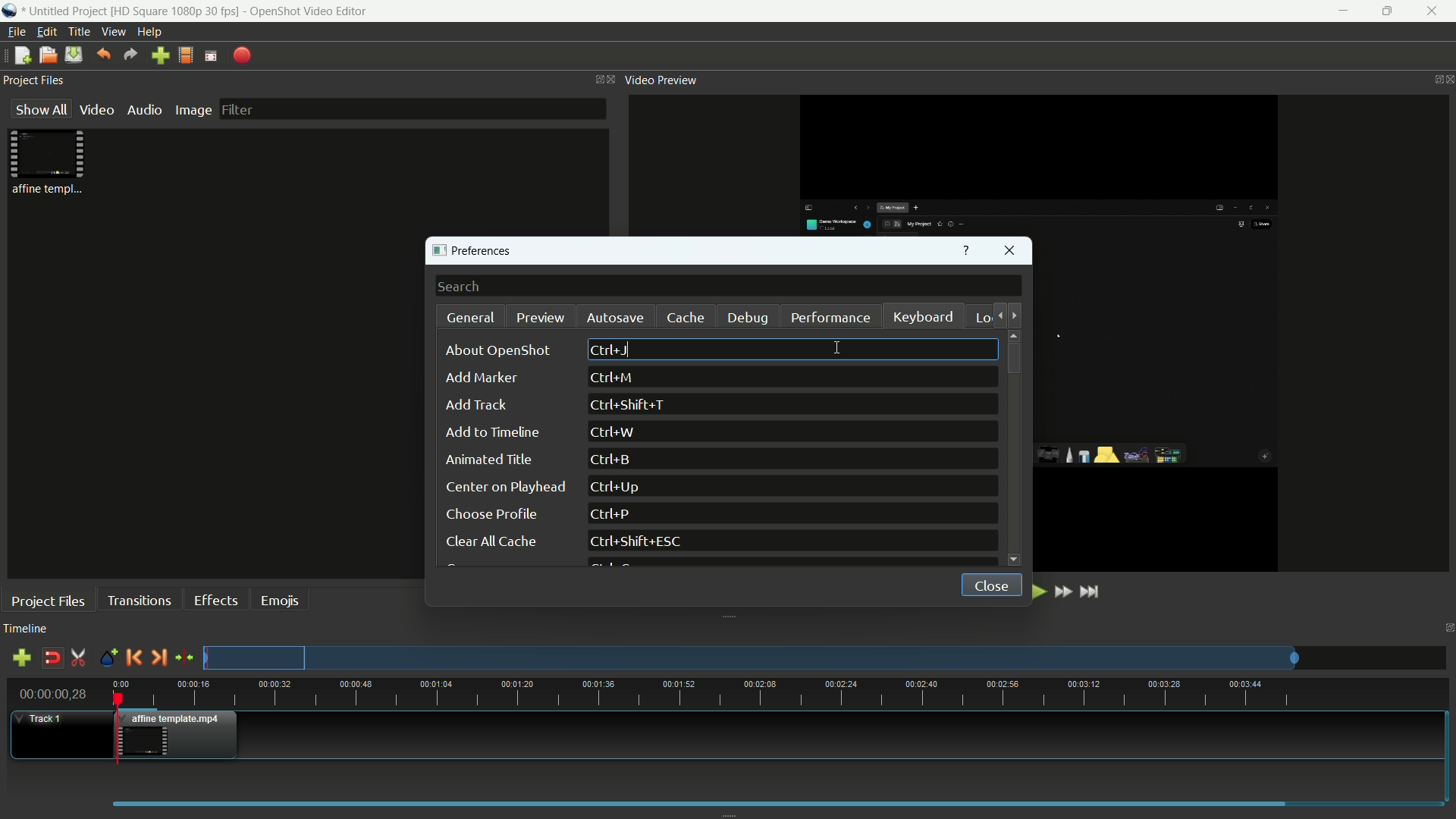 The width and height of the screenshot is (1456, 819). Describe the element at coordinates (1447, 628) in the screenshot. I see `close timeline` at that location.